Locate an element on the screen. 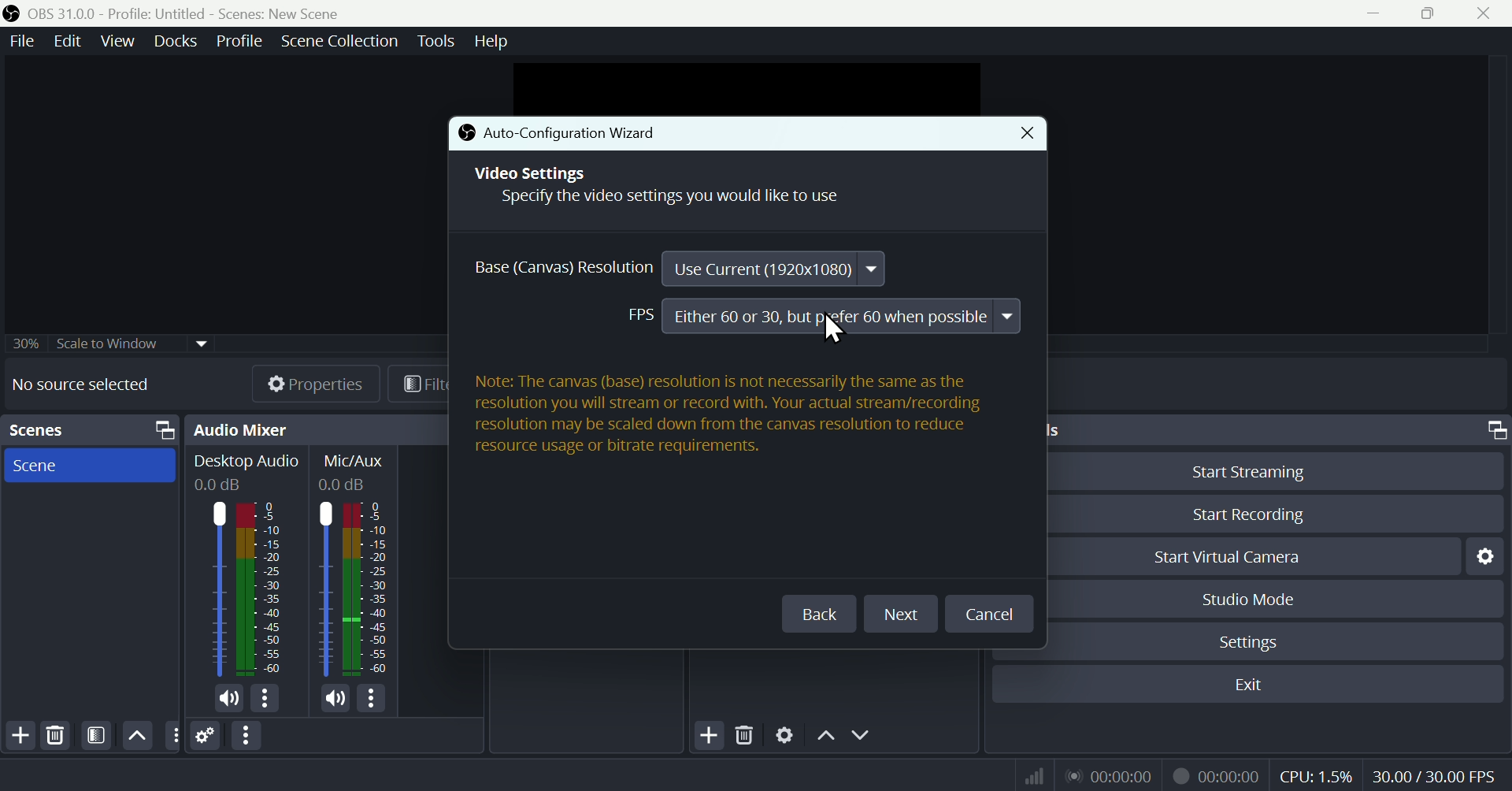 The width and height of the screenshot is (1512, 791). Next is located at coordinates (906, 613).